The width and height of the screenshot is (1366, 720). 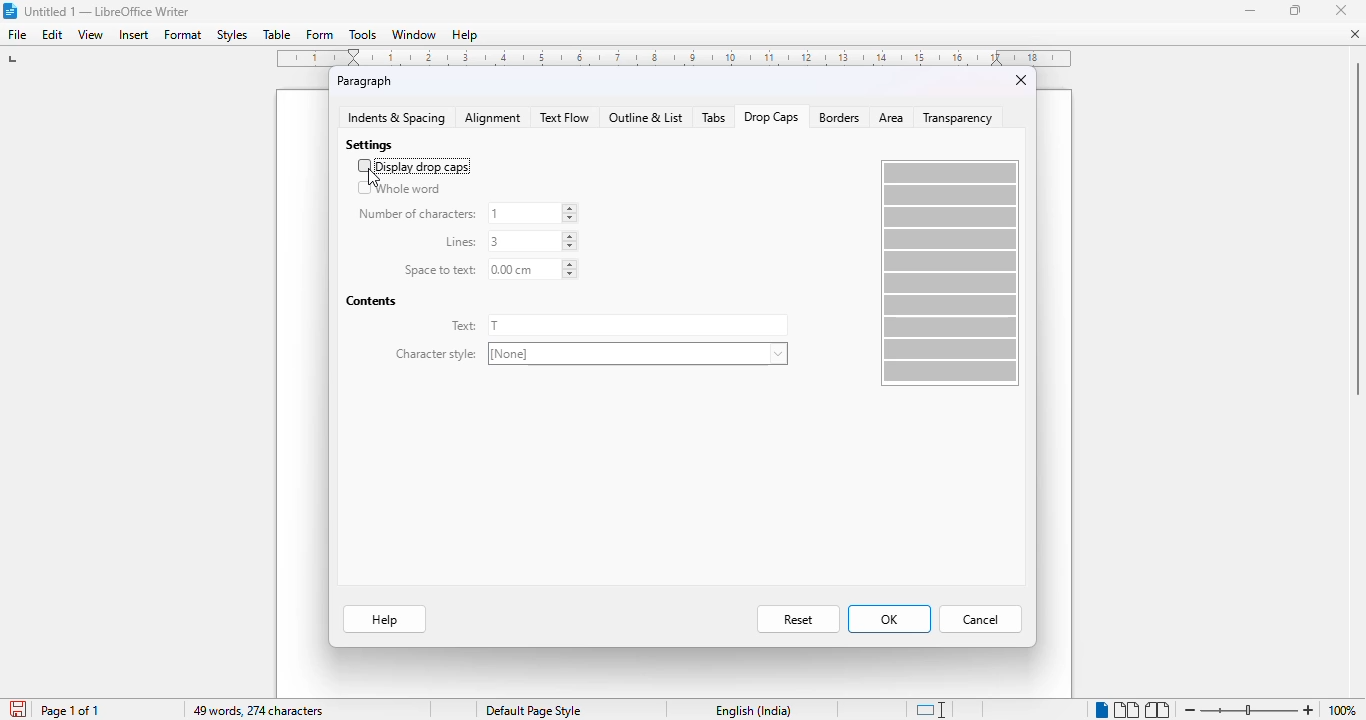 I want to click on settings, so click(x=371, y=145).